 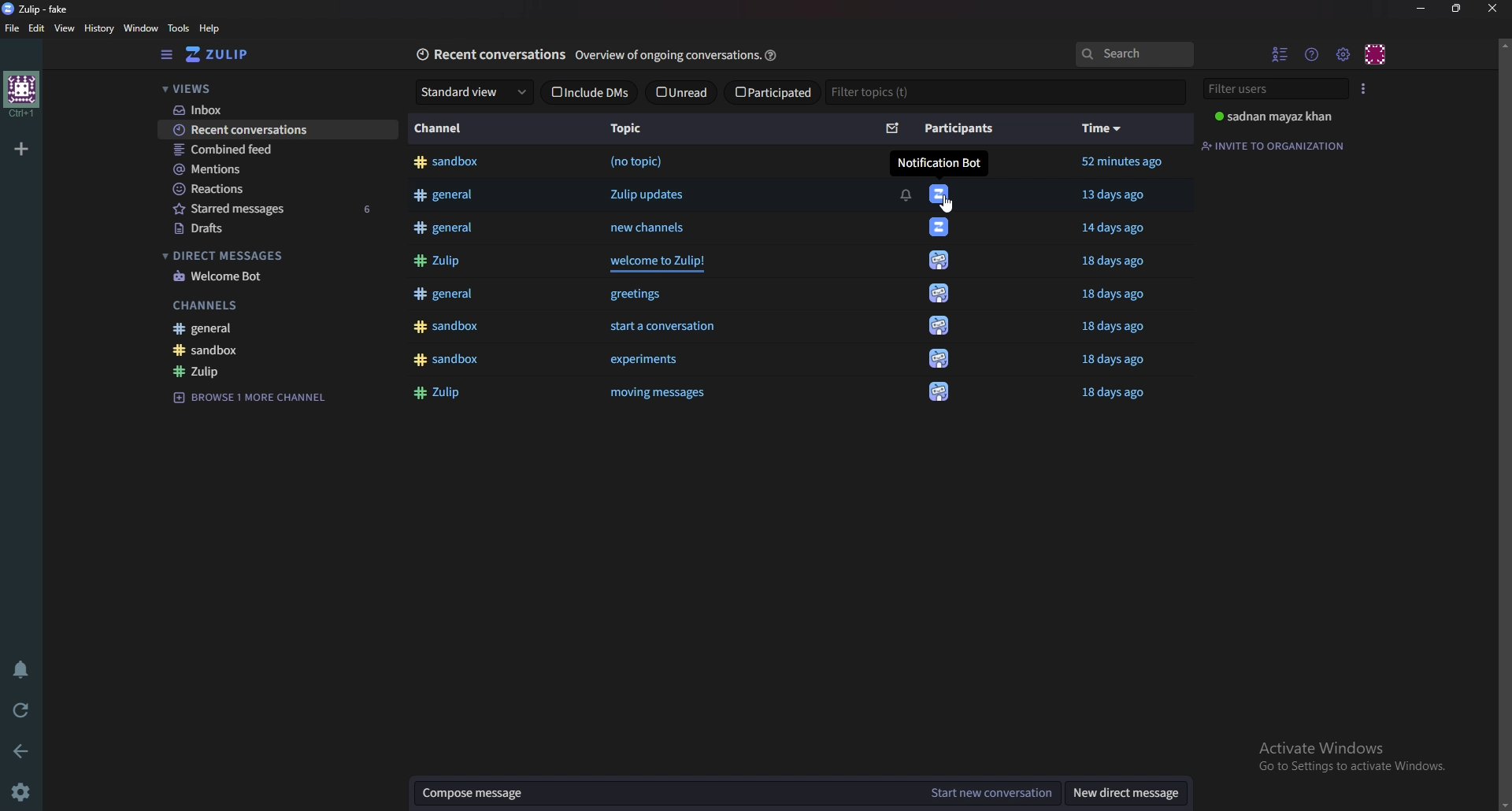 I want to click on Help menu, so click(x=1311, y=55).